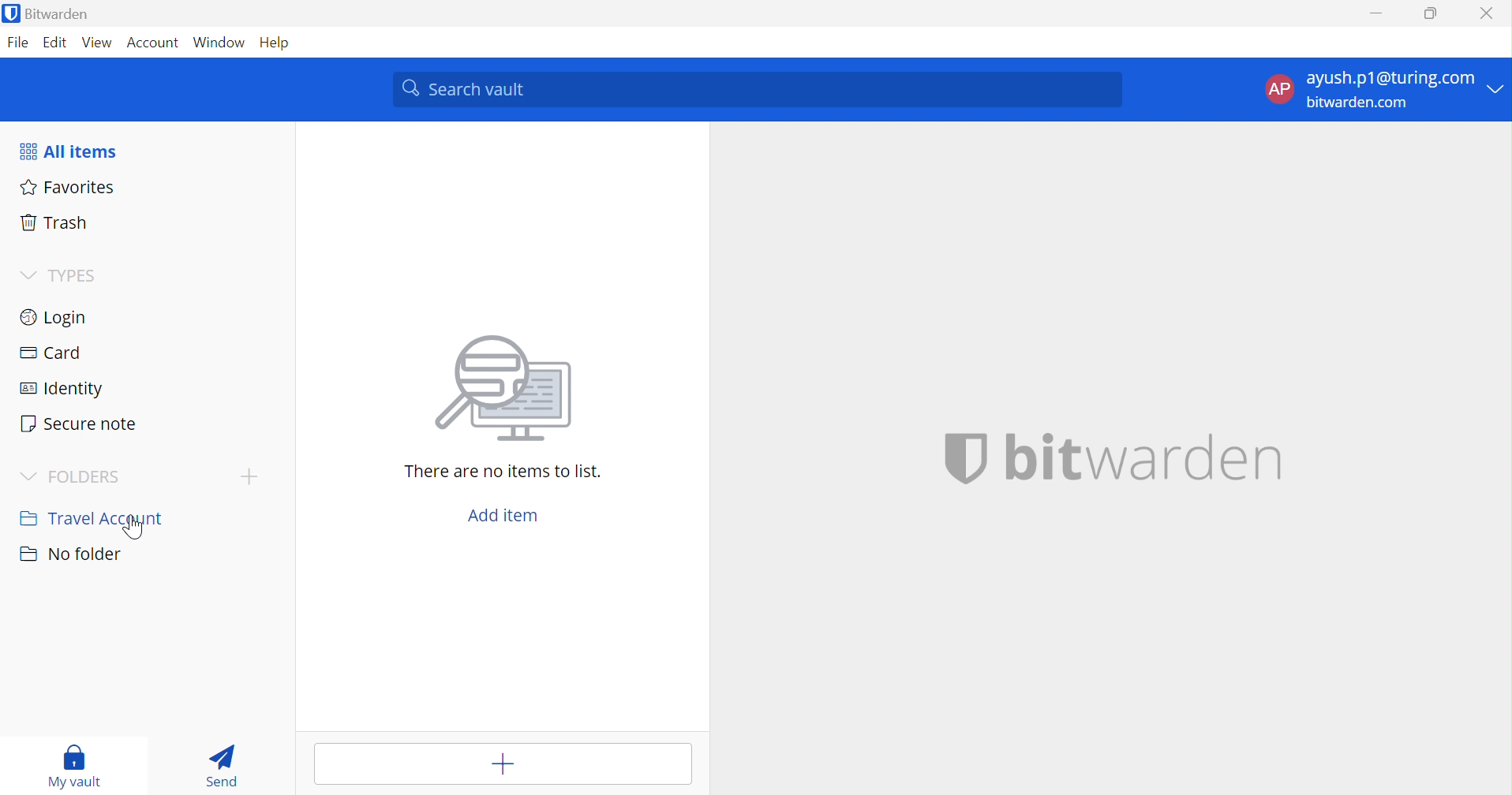  I want to click on Secure note, so click(83, 422).